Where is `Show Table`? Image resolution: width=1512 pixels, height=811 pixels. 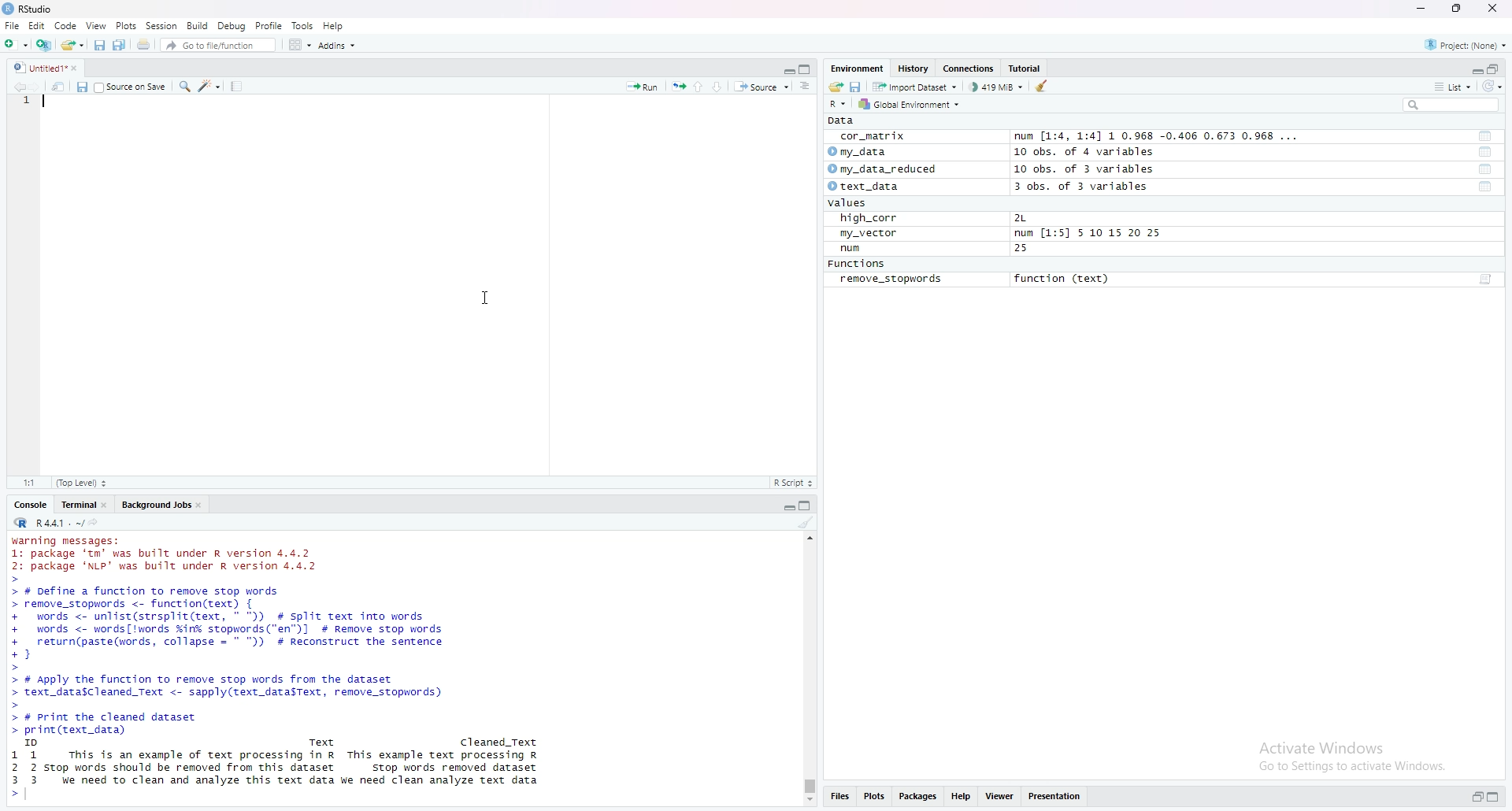
Show Table is located at coordinates (1486, 152).